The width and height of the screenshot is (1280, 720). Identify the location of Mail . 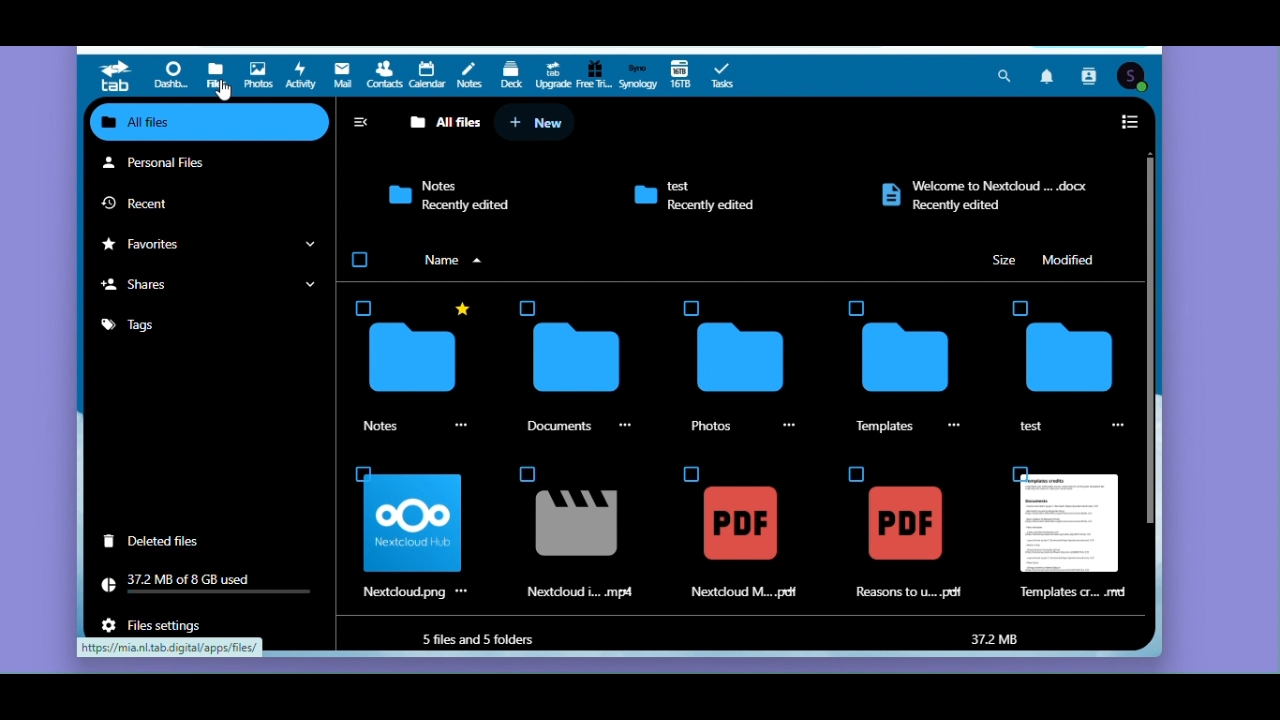
(342, 75).